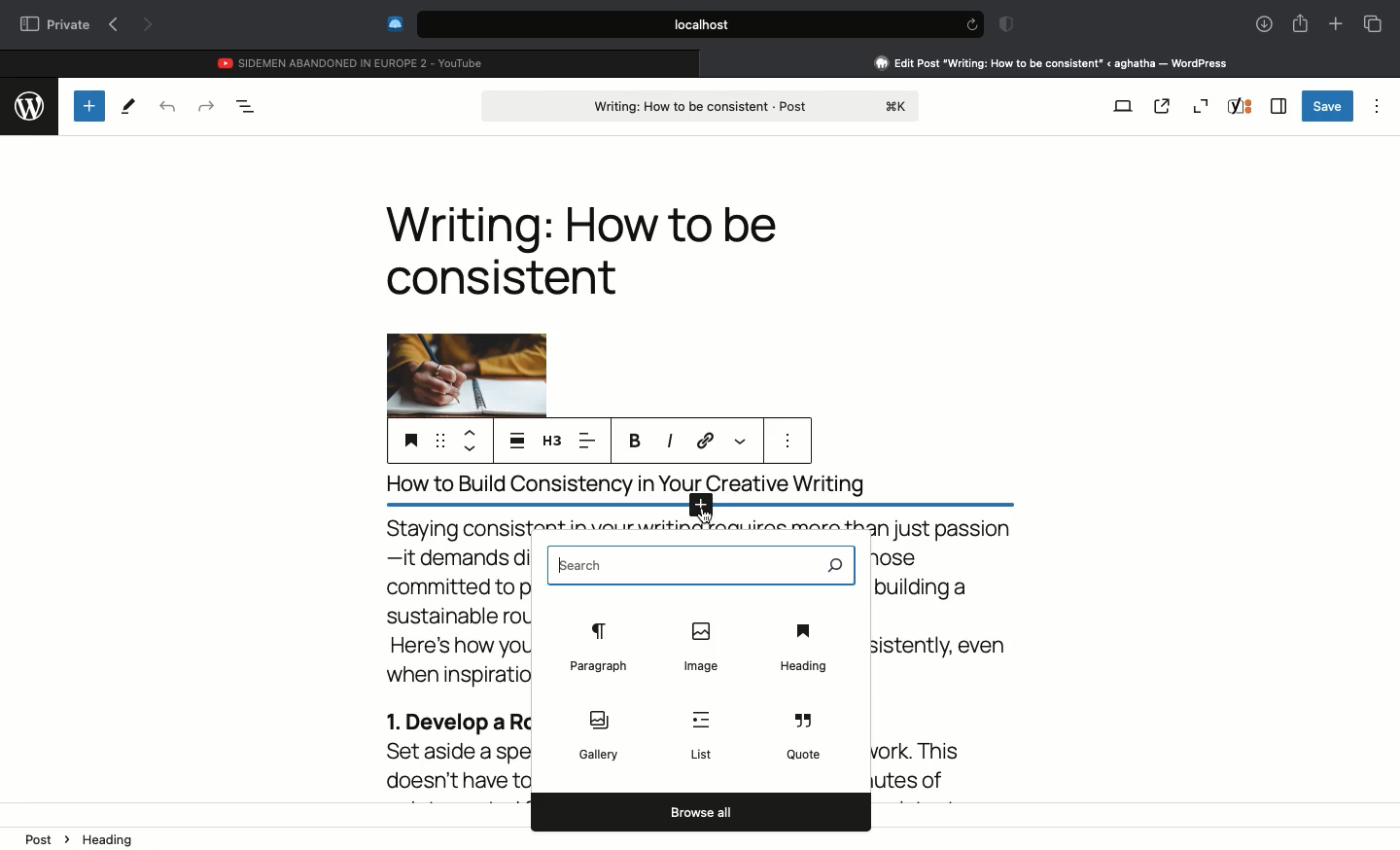 The width and height of the screenshot is (1400, 850). What do you see at coordinates (1003, 25) in the screenshot?
I see `Badge` at bounding box center [1003, 25].